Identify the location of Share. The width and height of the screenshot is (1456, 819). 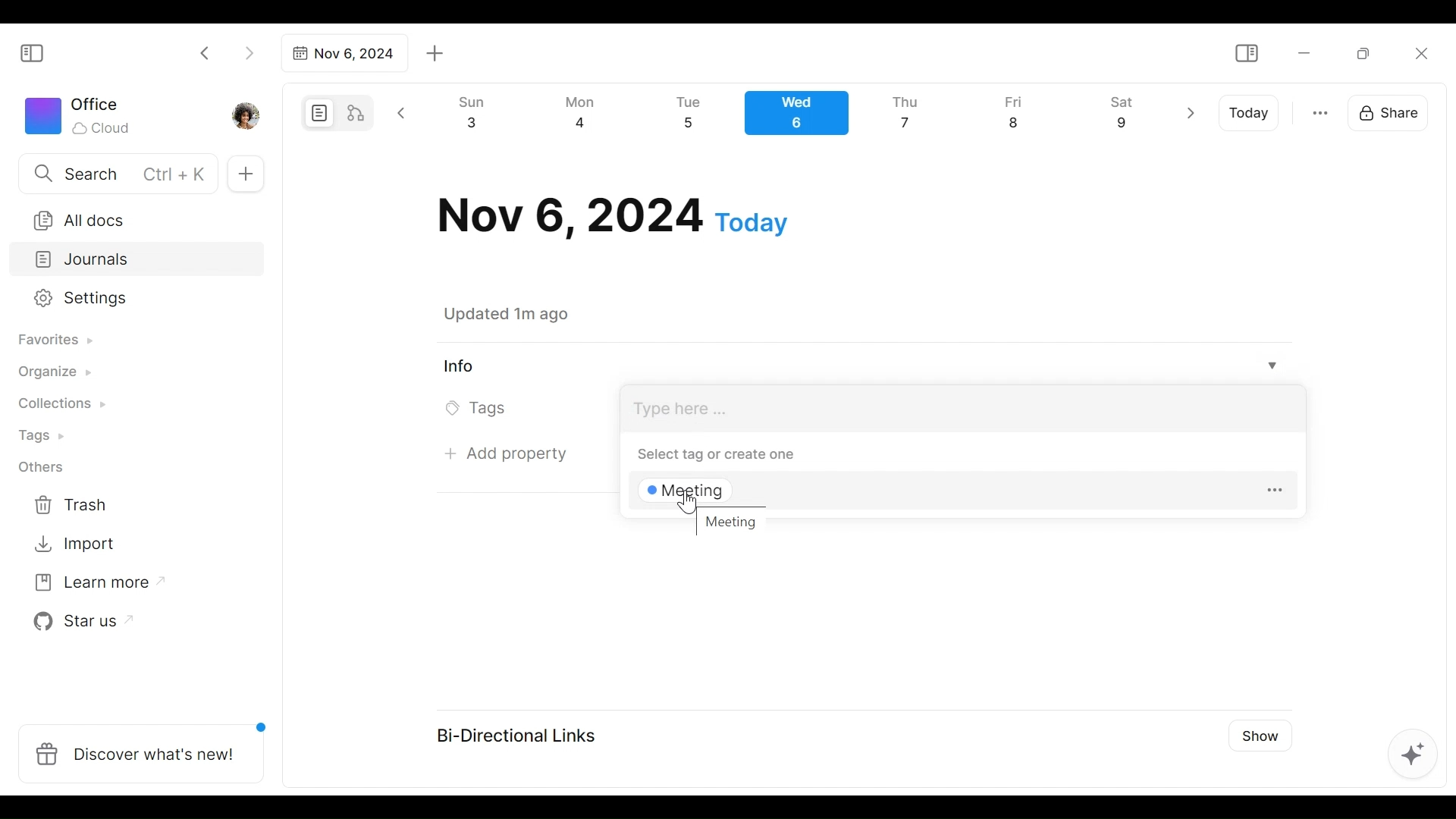
(1393, 111).